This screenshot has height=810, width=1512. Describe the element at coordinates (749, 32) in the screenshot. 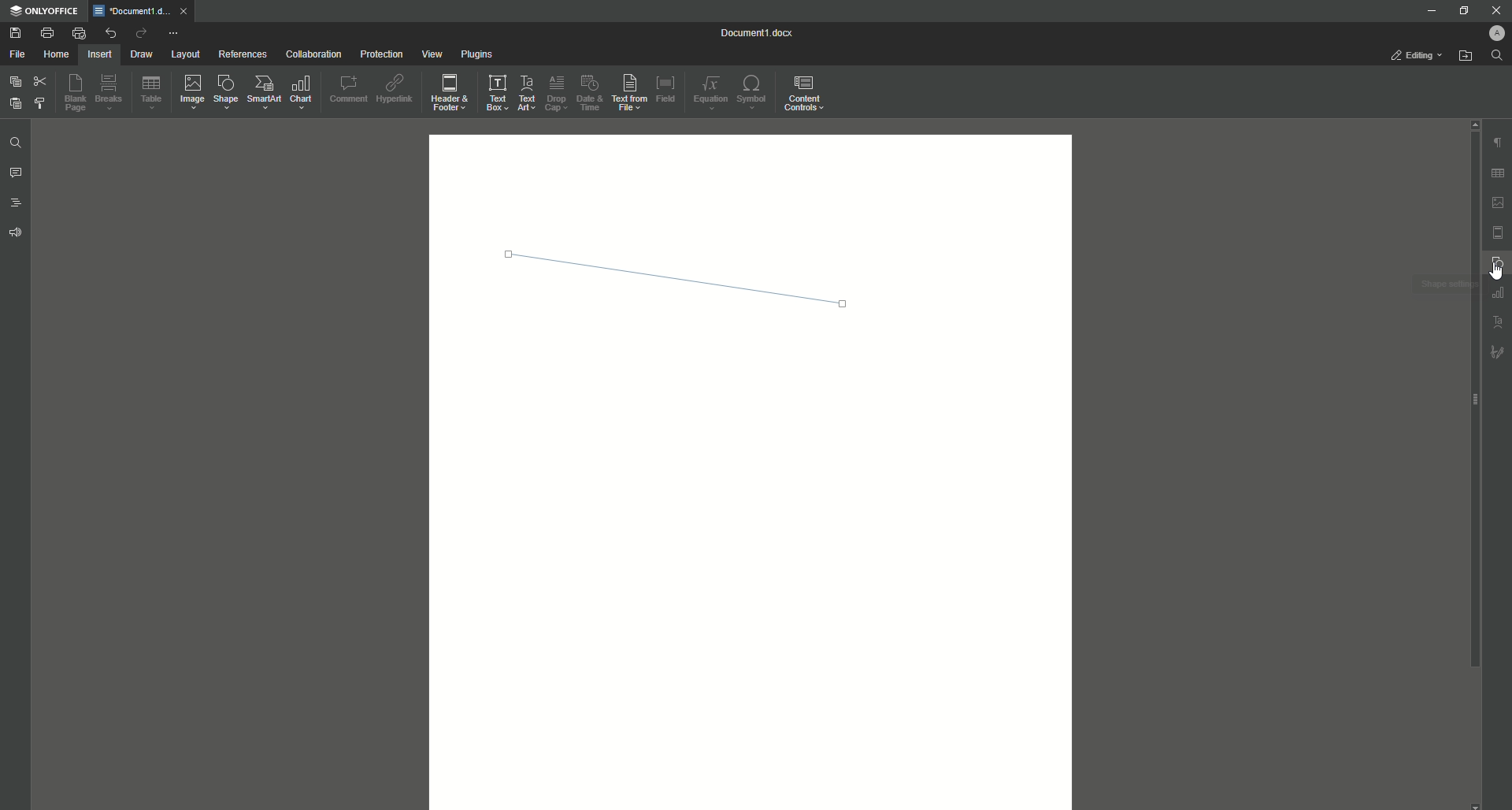

I see `Document1` at that location.